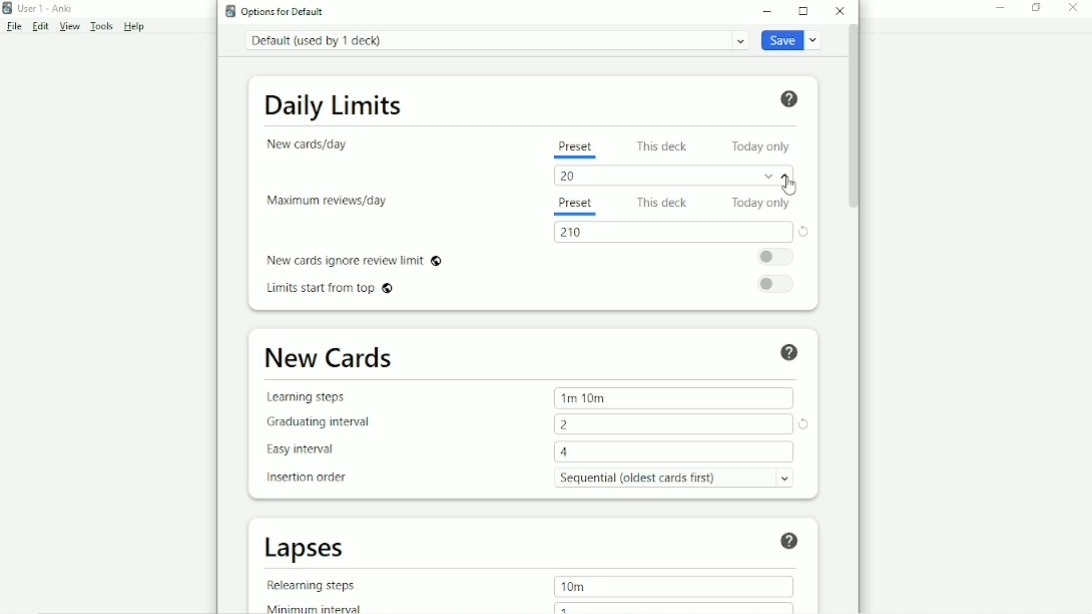  What do you see at coordinates (102, 26) in the screenshot?
I see `Tools` at bounding box center [102, 26].